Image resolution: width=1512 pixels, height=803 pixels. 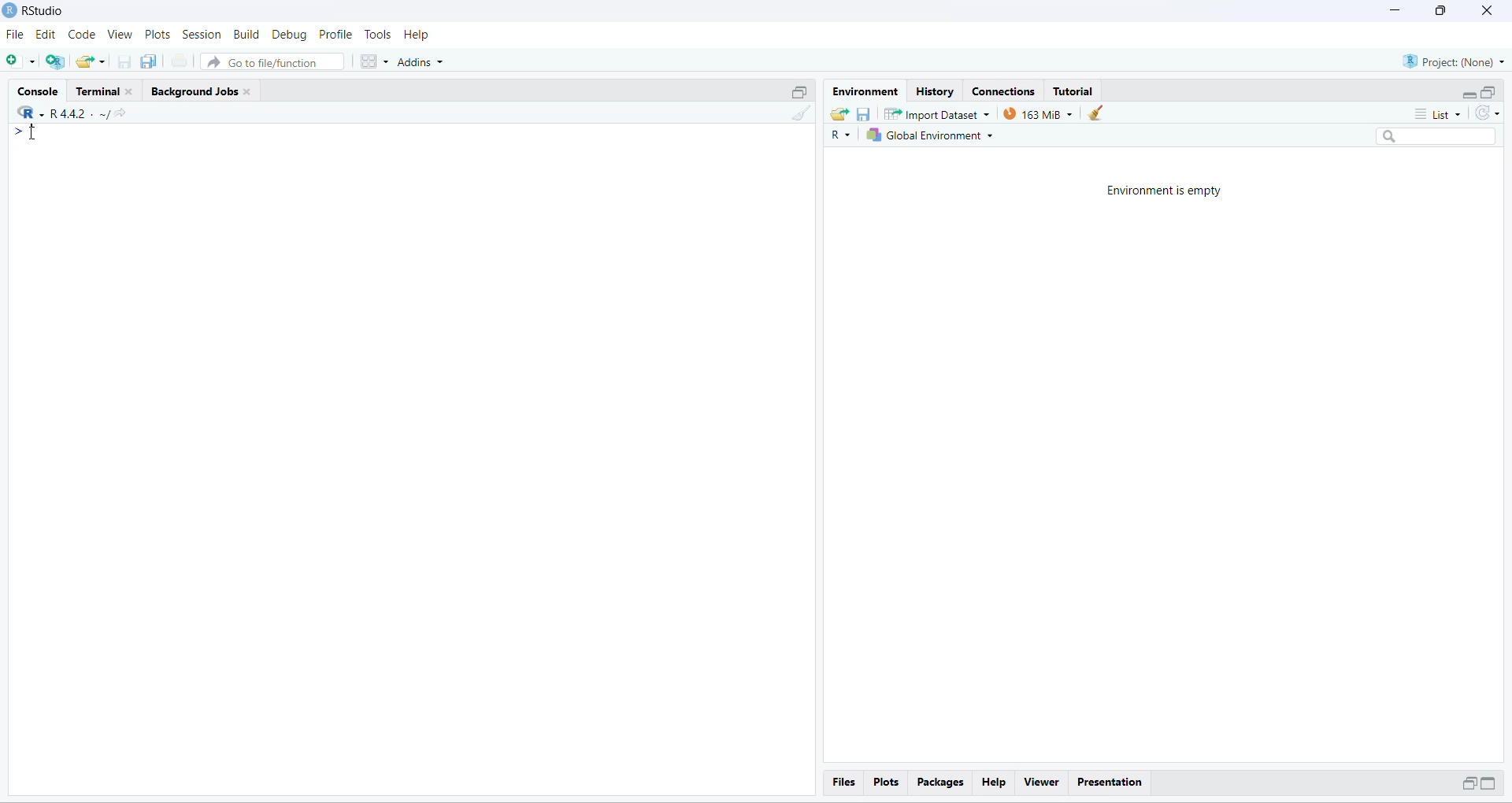 I want to click on Terminal, so click(x=107, y=88).